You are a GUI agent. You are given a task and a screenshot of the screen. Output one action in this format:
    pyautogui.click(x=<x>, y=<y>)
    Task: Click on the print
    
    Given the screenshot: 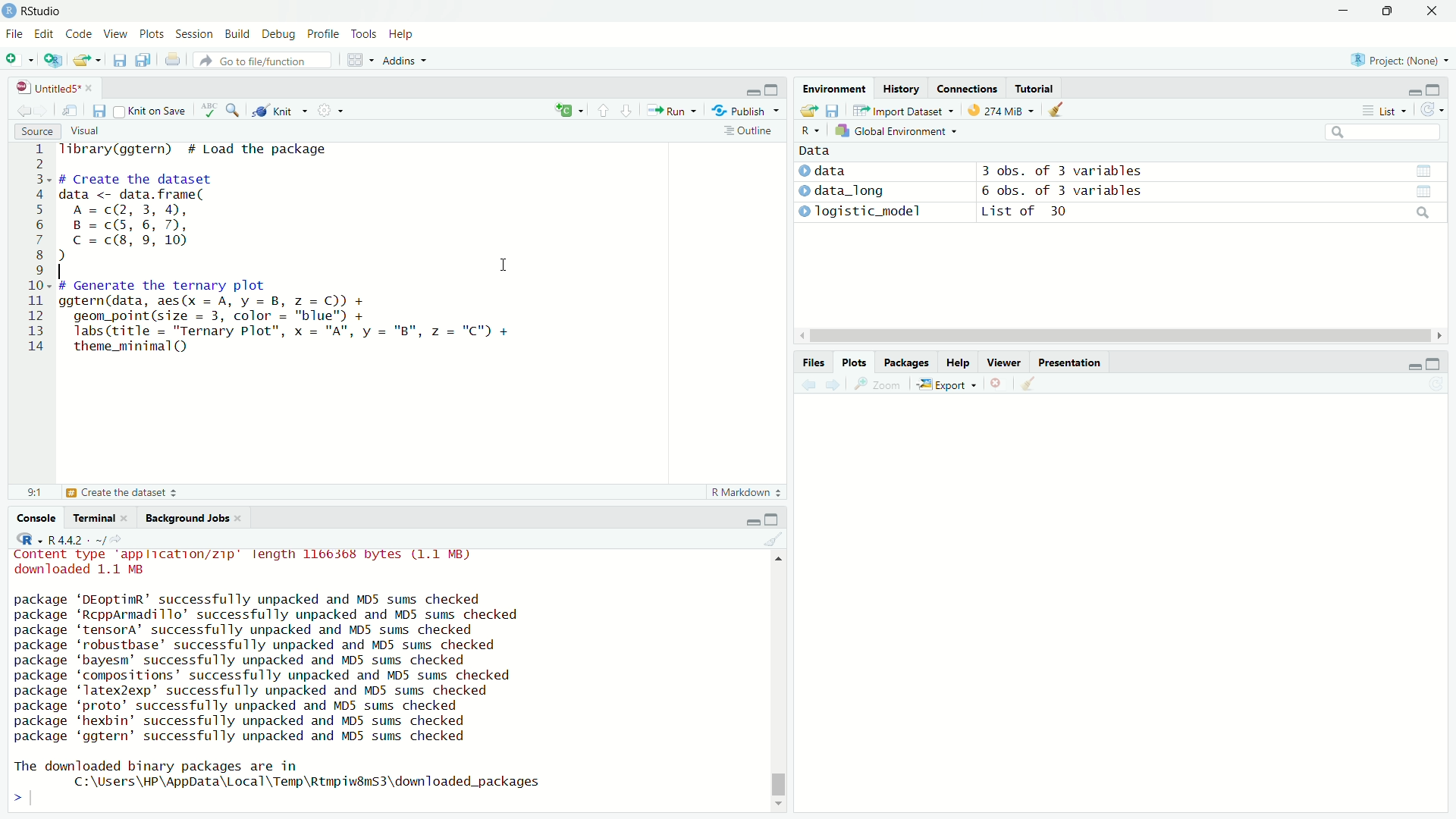 What is the action you would take?
    pyautogui.click(x=176, y=63)
    